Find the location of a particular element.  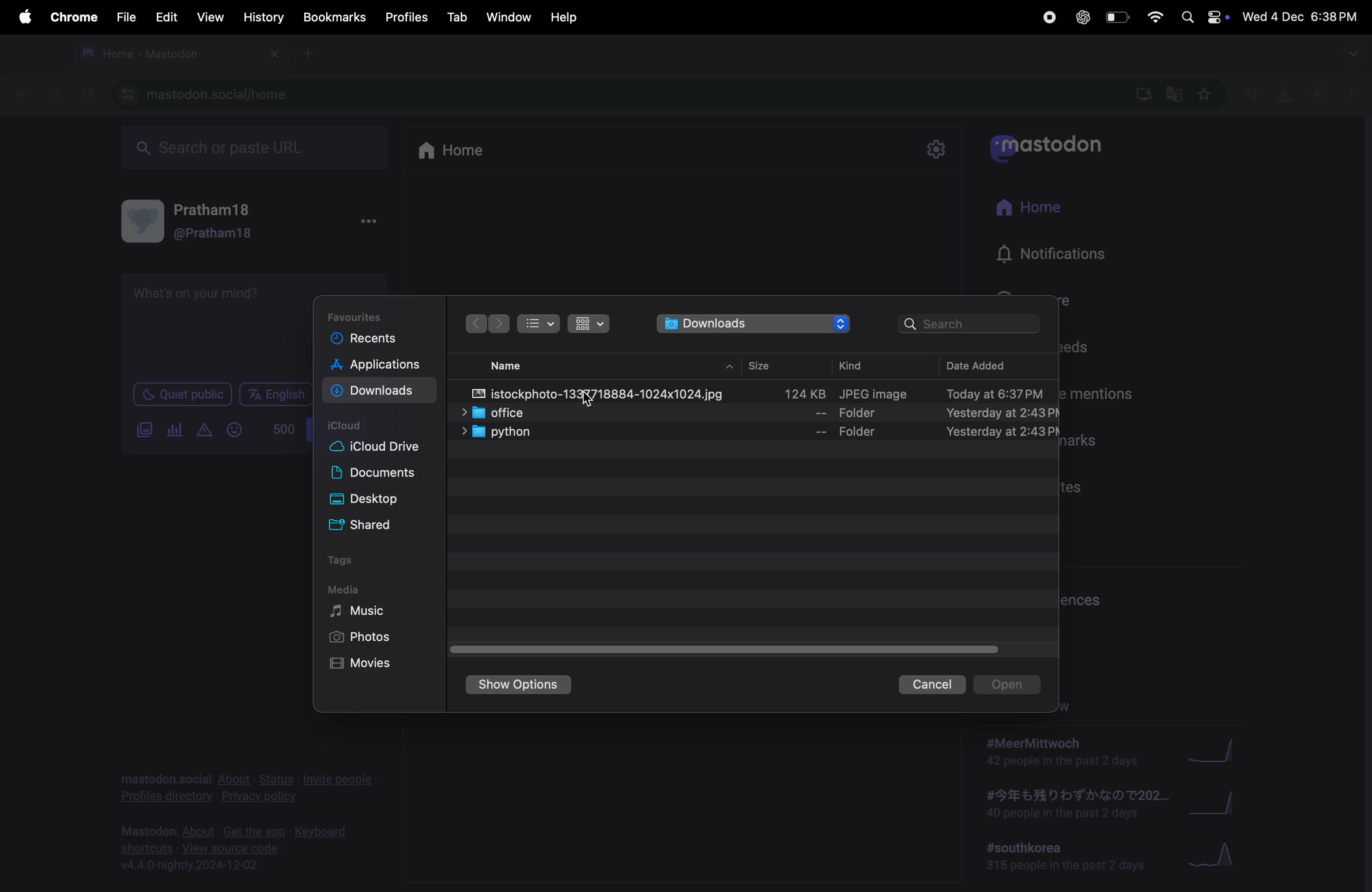

tags is located at coordinates (348, 562).